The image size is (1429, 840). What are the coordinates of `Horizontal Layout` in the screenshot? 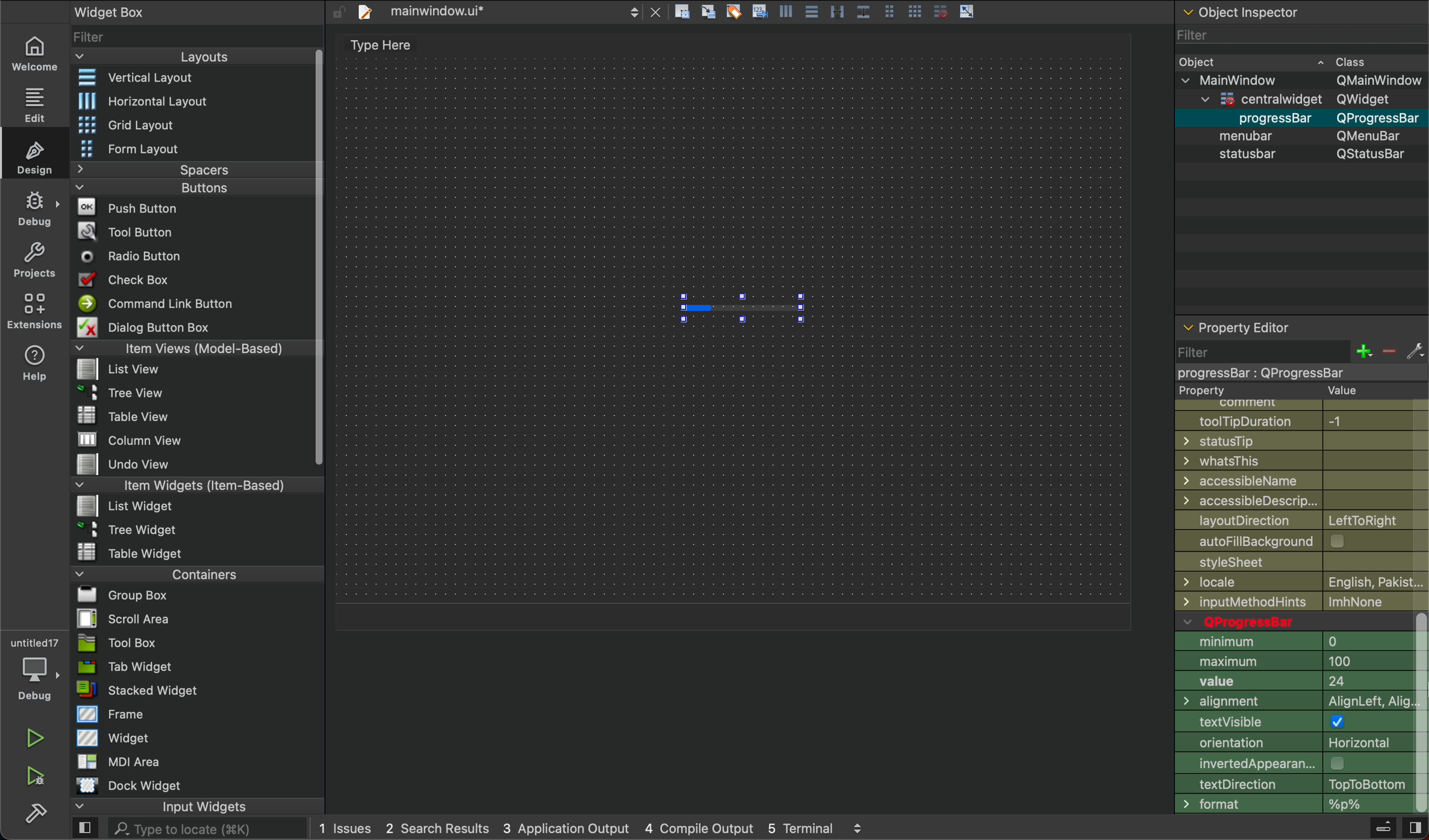 It's located at (184, 101).